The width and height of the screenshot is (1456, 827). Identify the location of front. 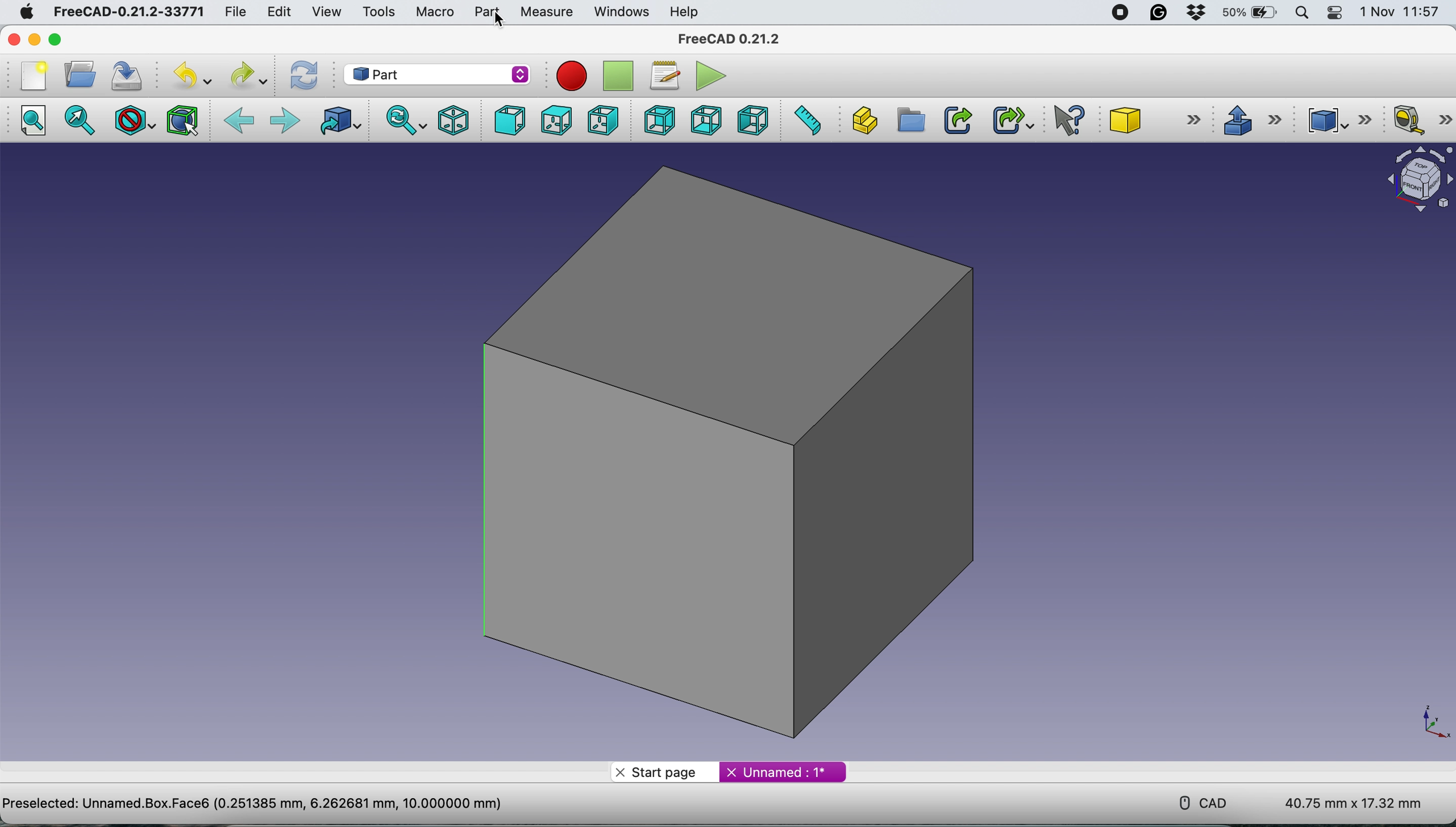
(509, 121).